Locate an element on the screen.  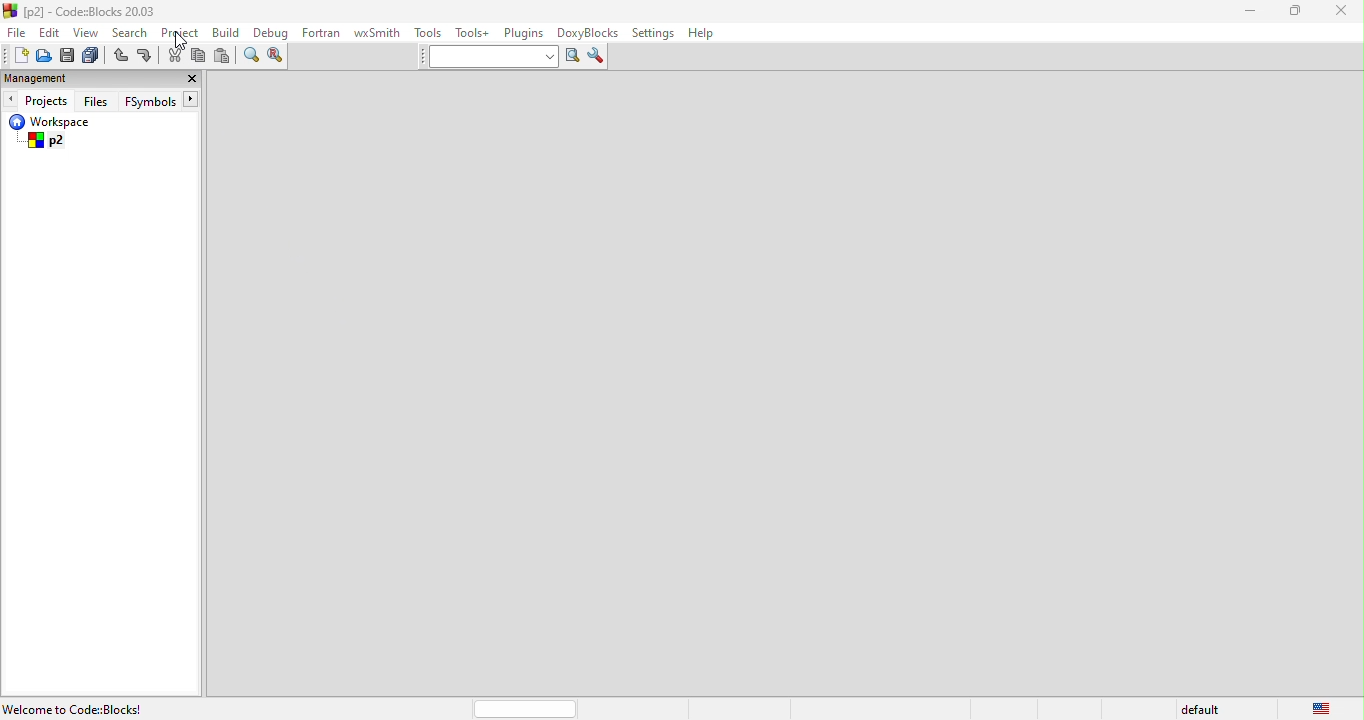
[p2] - Code=Blocks 20.03 is located at coordinates (81, 11).